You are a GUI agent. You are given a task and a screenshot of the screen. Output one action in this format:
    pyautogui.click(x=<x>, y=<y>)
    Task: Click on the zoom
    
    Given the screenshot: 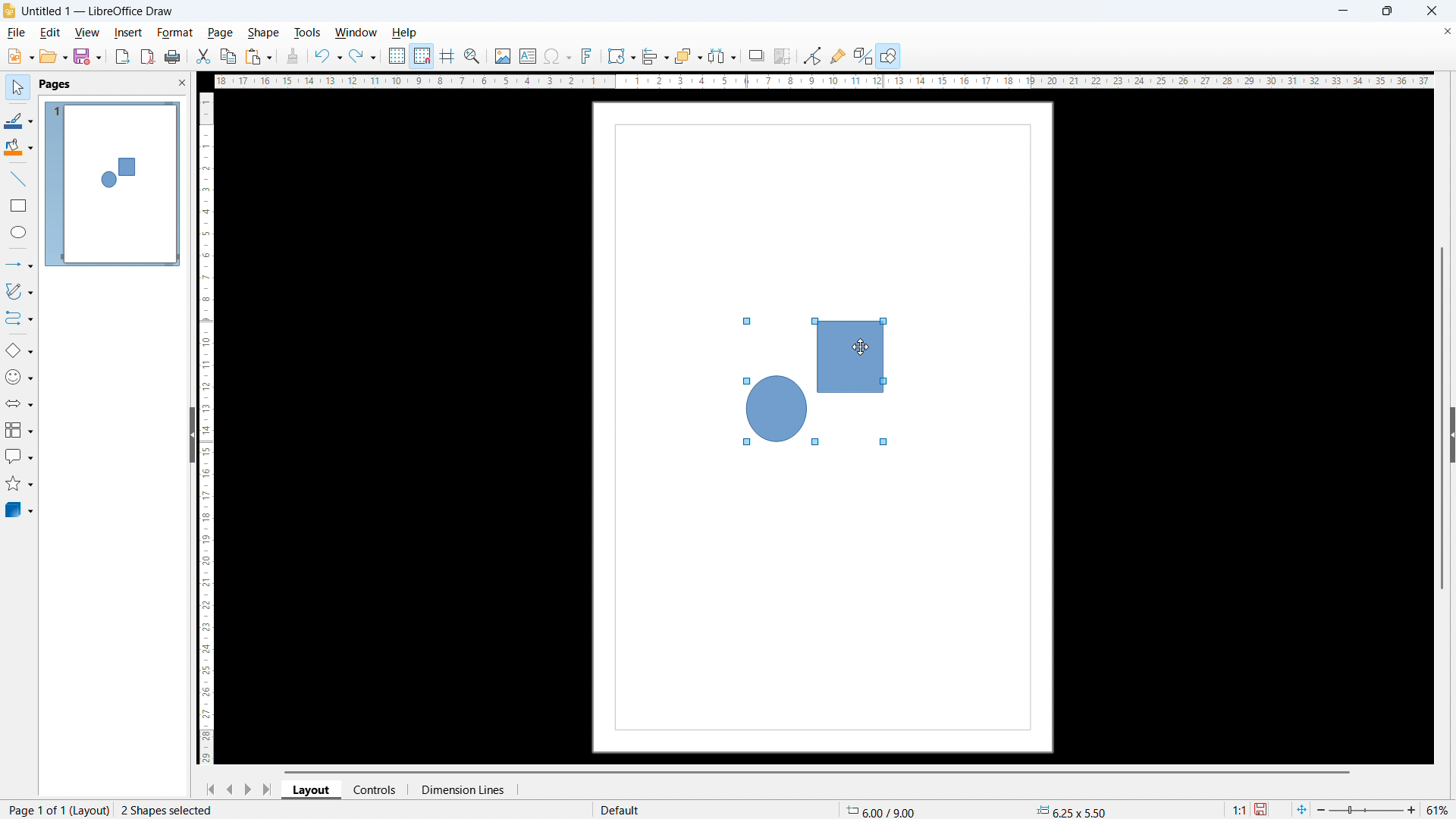 What is the action you would take?
    pyautogui.click(x=473, y=57)
    